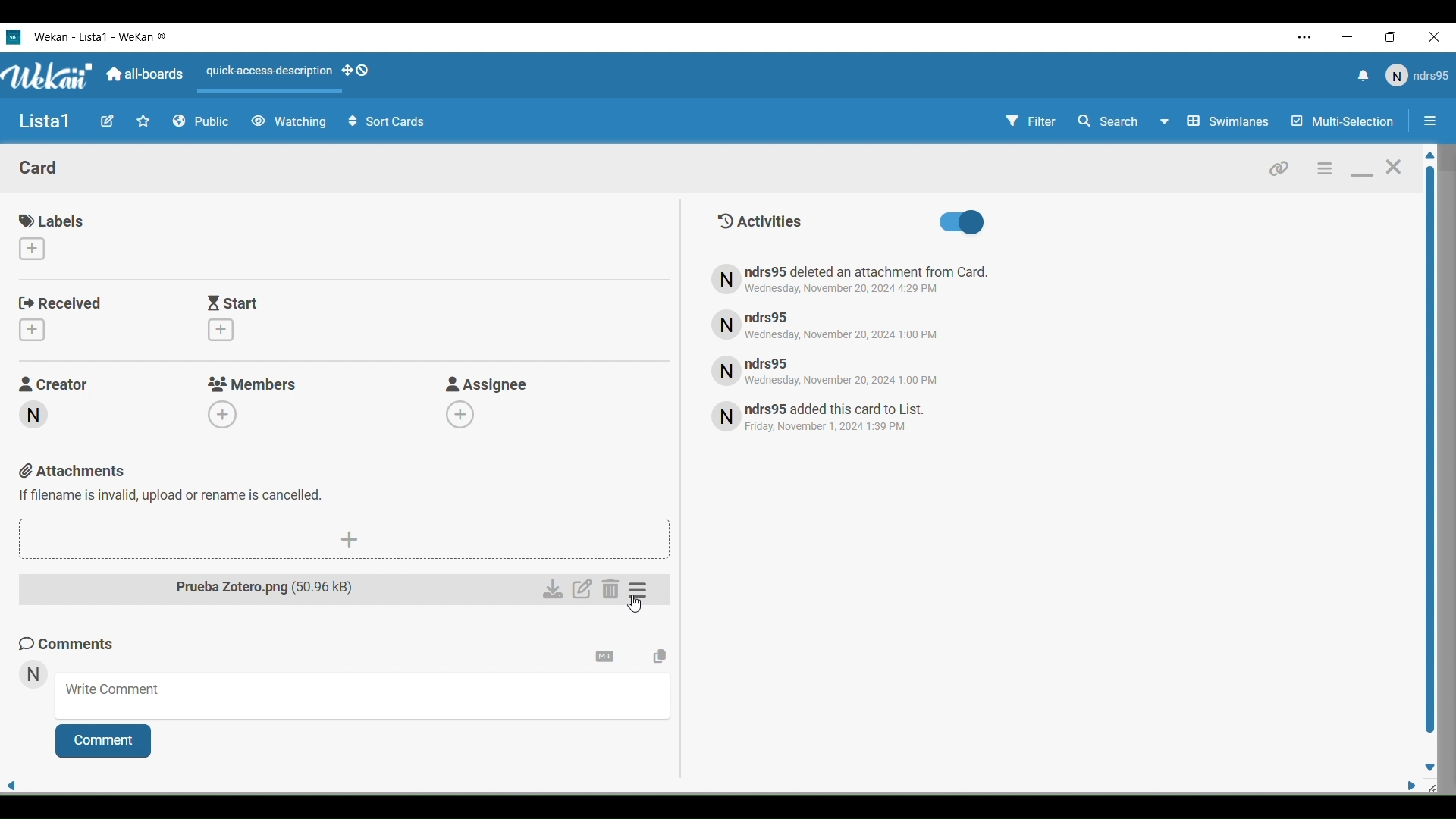  What do you see at coordinates (961, 223) in the screenshot?
I see `Activities toggle` at bounding box center [961, 223].